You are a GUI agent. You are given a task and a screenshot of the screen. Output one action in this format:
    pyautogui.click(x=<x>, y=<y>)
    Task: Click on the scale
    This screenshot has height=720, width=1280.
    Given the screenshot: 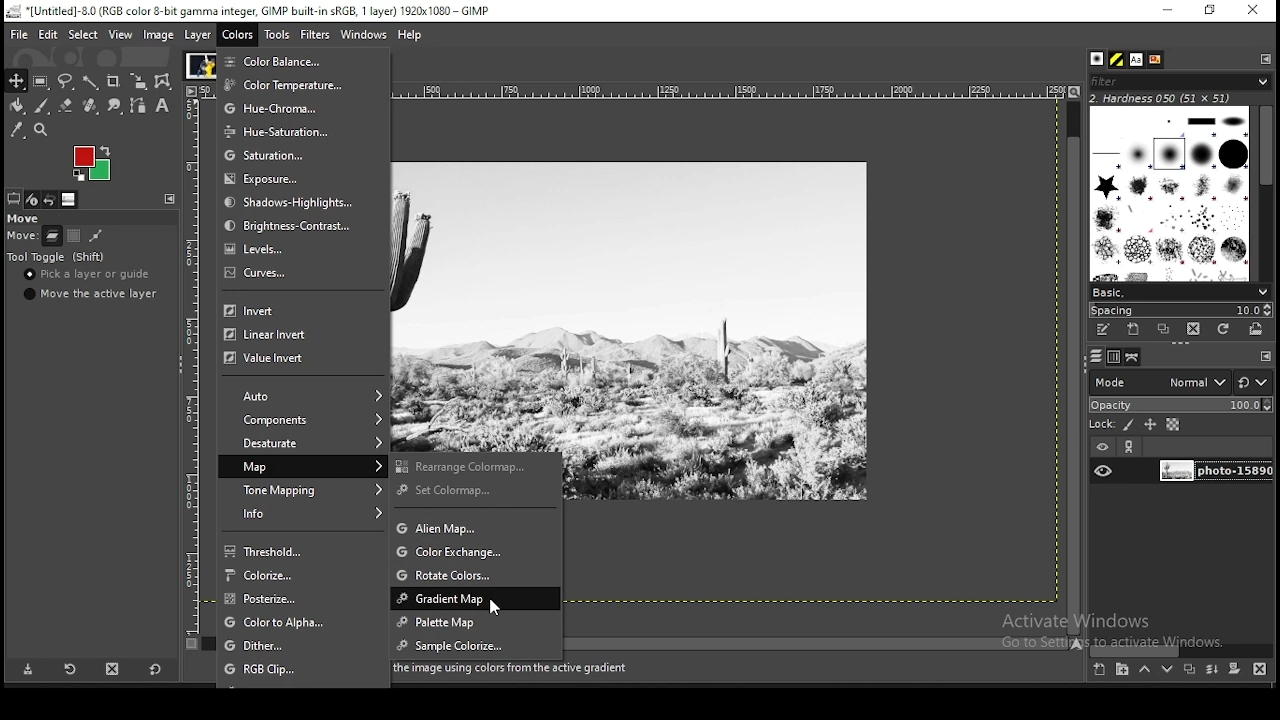 What is the action you would take?
    pyautogui.click(x=724, y=89)
    